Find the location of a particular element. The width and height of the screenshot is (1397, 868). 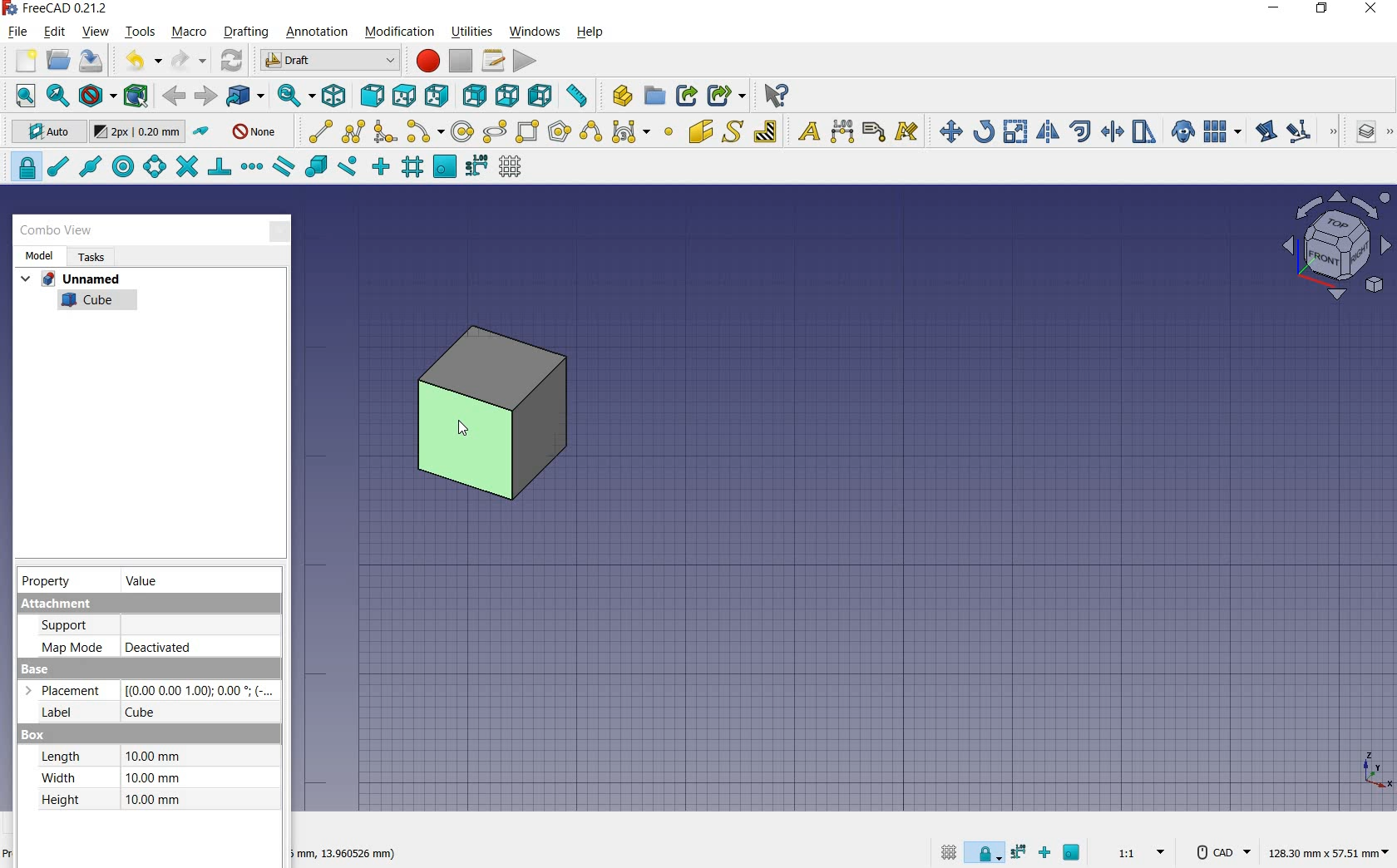

modification is located at coordinates (400, 32).